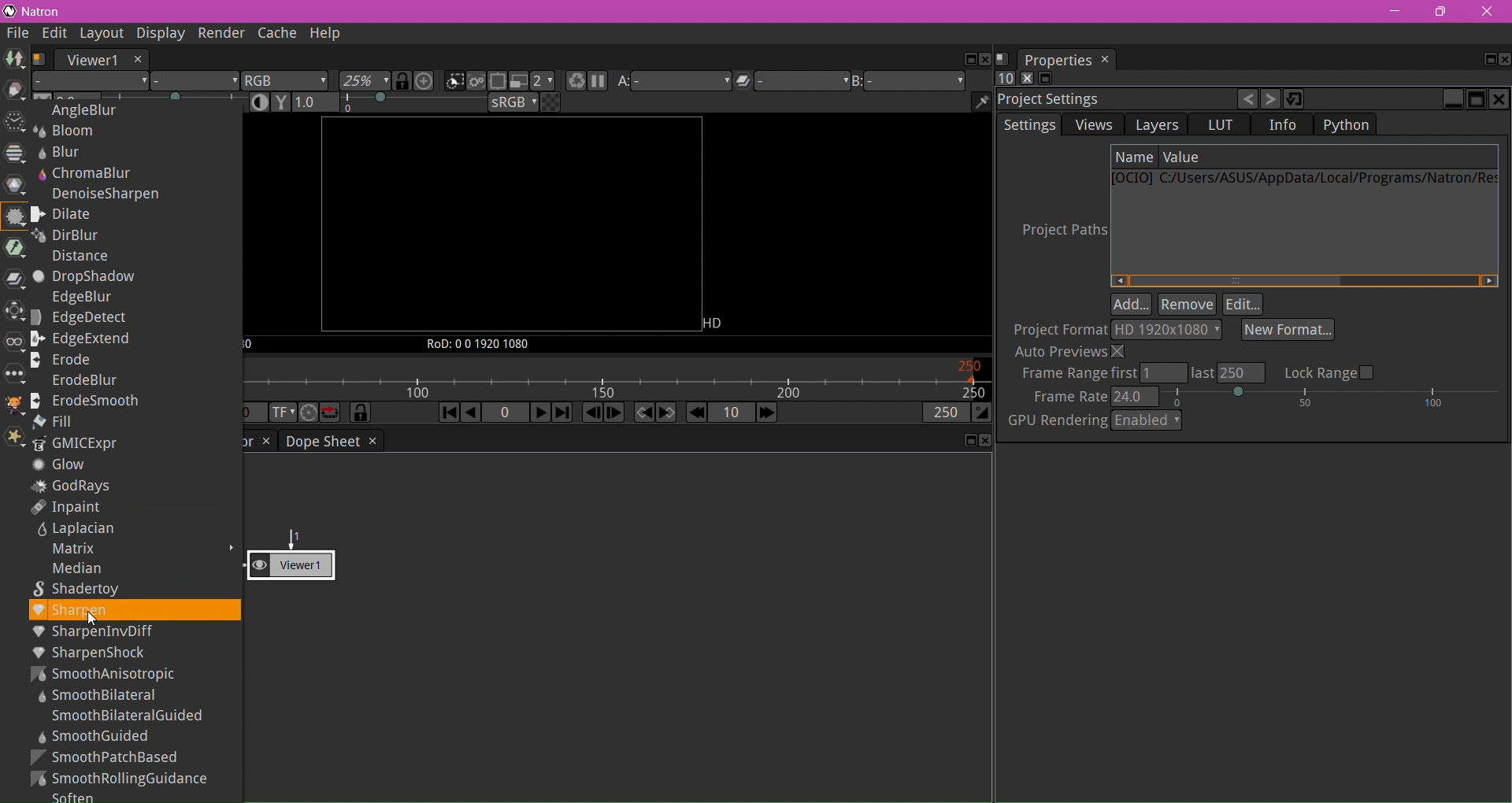 This screenshot has height=803, width=1512. Describe the element at coordinates (1288, 329) in the screenshot. I see `Select New Format` at that location.